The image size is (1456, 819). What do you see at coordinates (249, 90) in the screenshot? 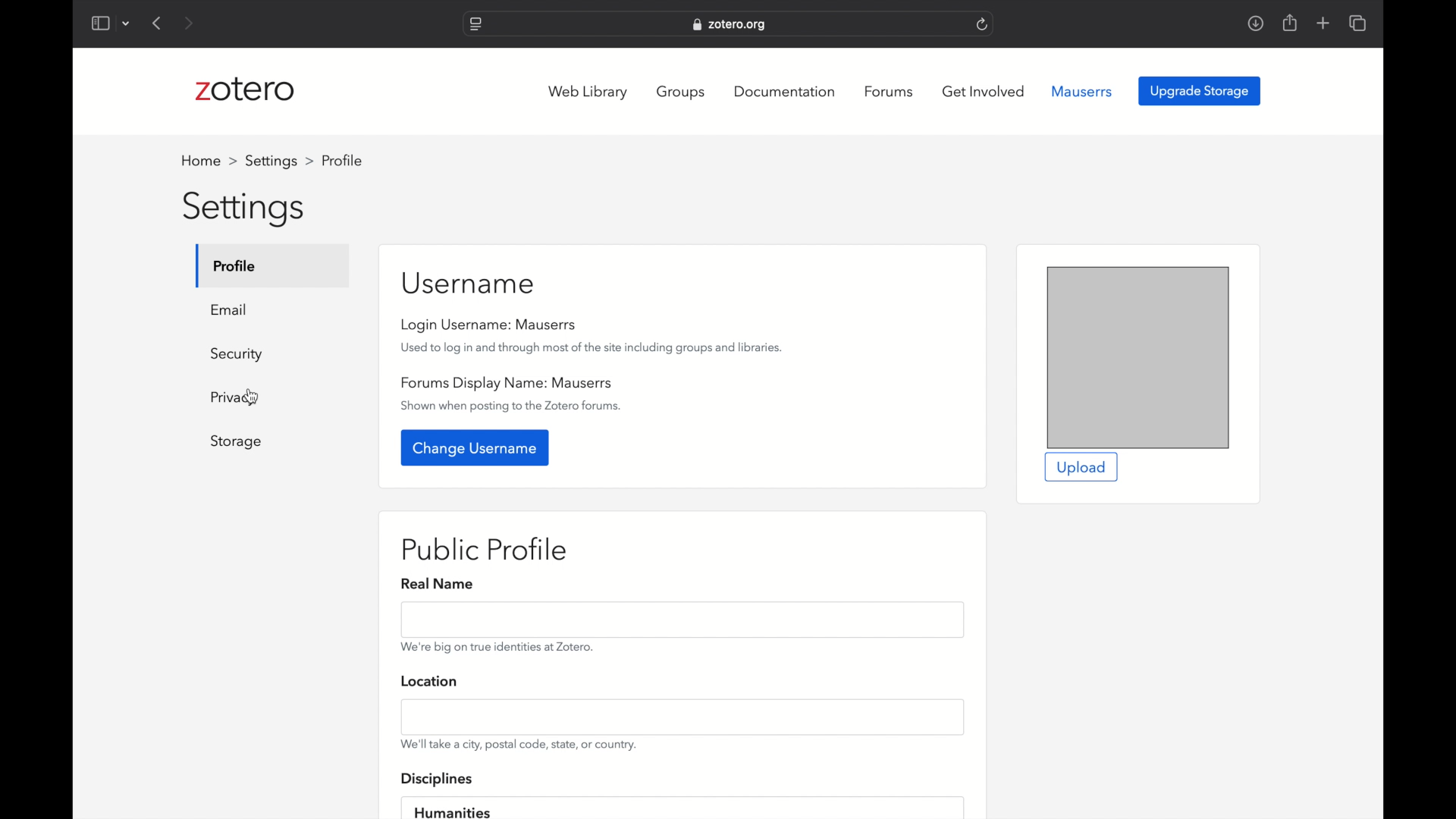
I see `zotero` at bounding box center [249, 90].